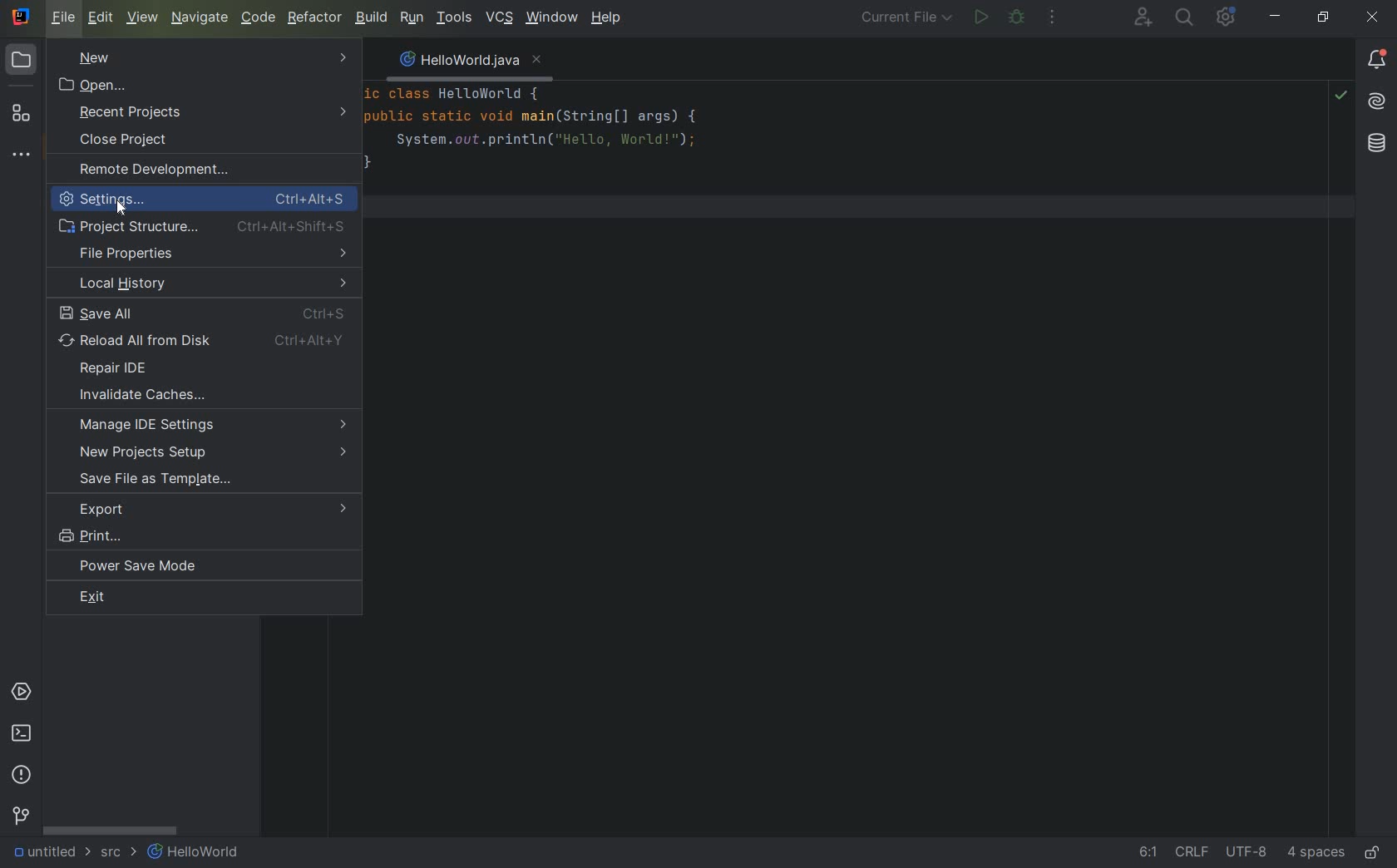 This screenshot has width=1397, height=868. I want to click on exit, so click(198, 599).